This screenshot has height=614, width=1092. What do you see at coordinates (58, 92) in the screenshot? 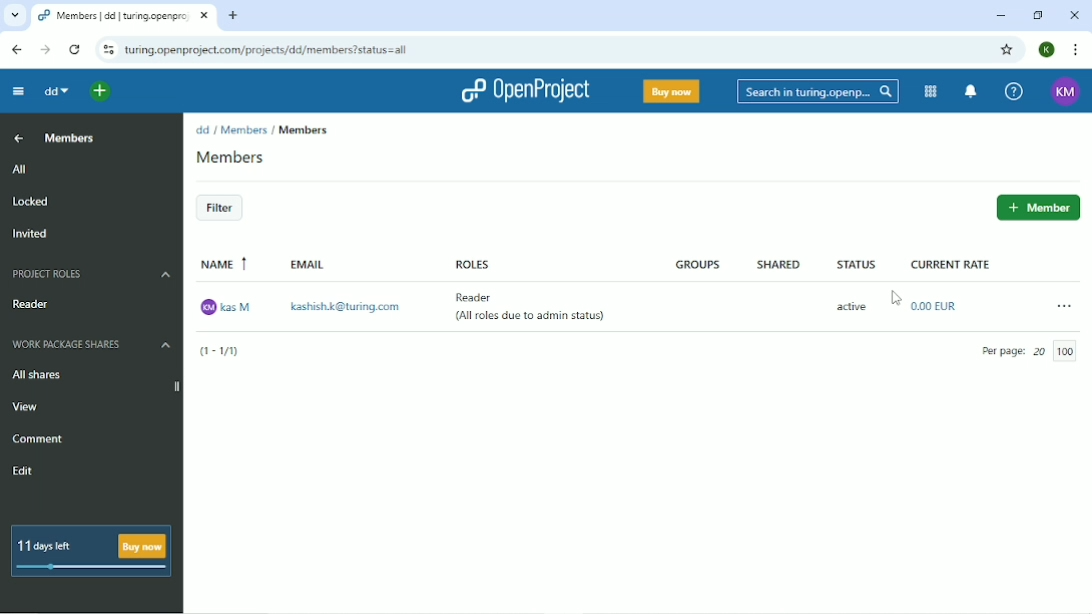
I see `dd` at bounding box center [58, 92].